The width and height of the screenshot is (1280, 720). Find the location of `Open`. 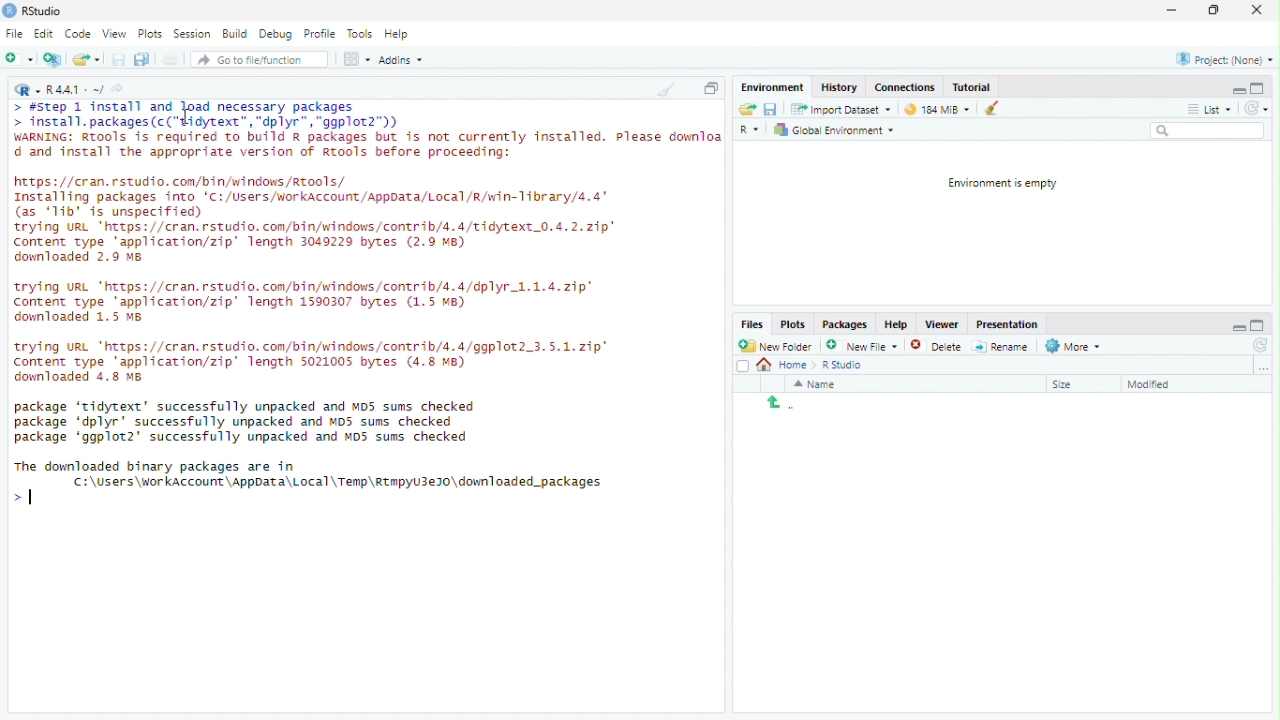

Open is located at coordinates (85, 59).